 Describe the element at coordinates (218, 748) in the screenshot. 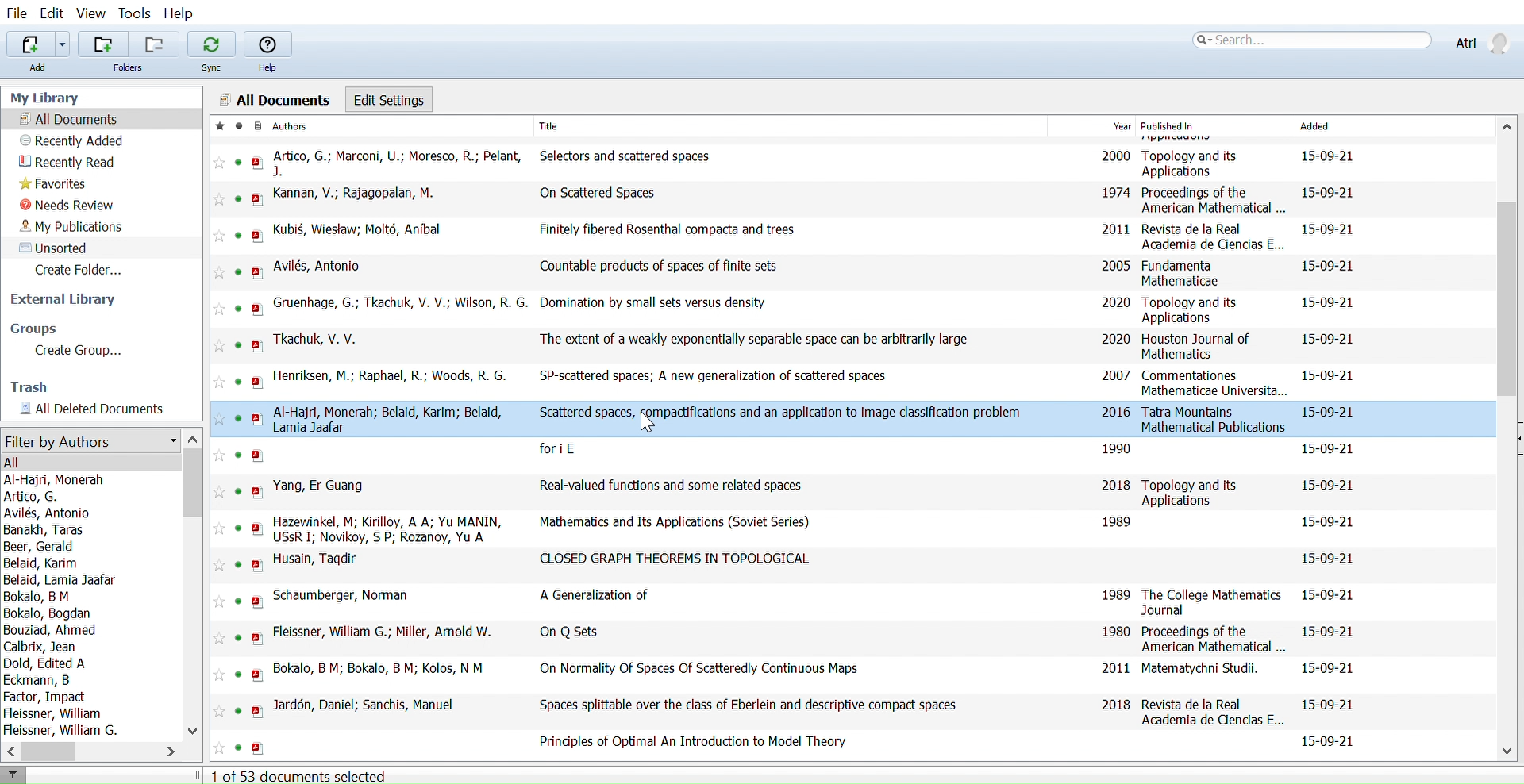

I see `Favourite` at that location.